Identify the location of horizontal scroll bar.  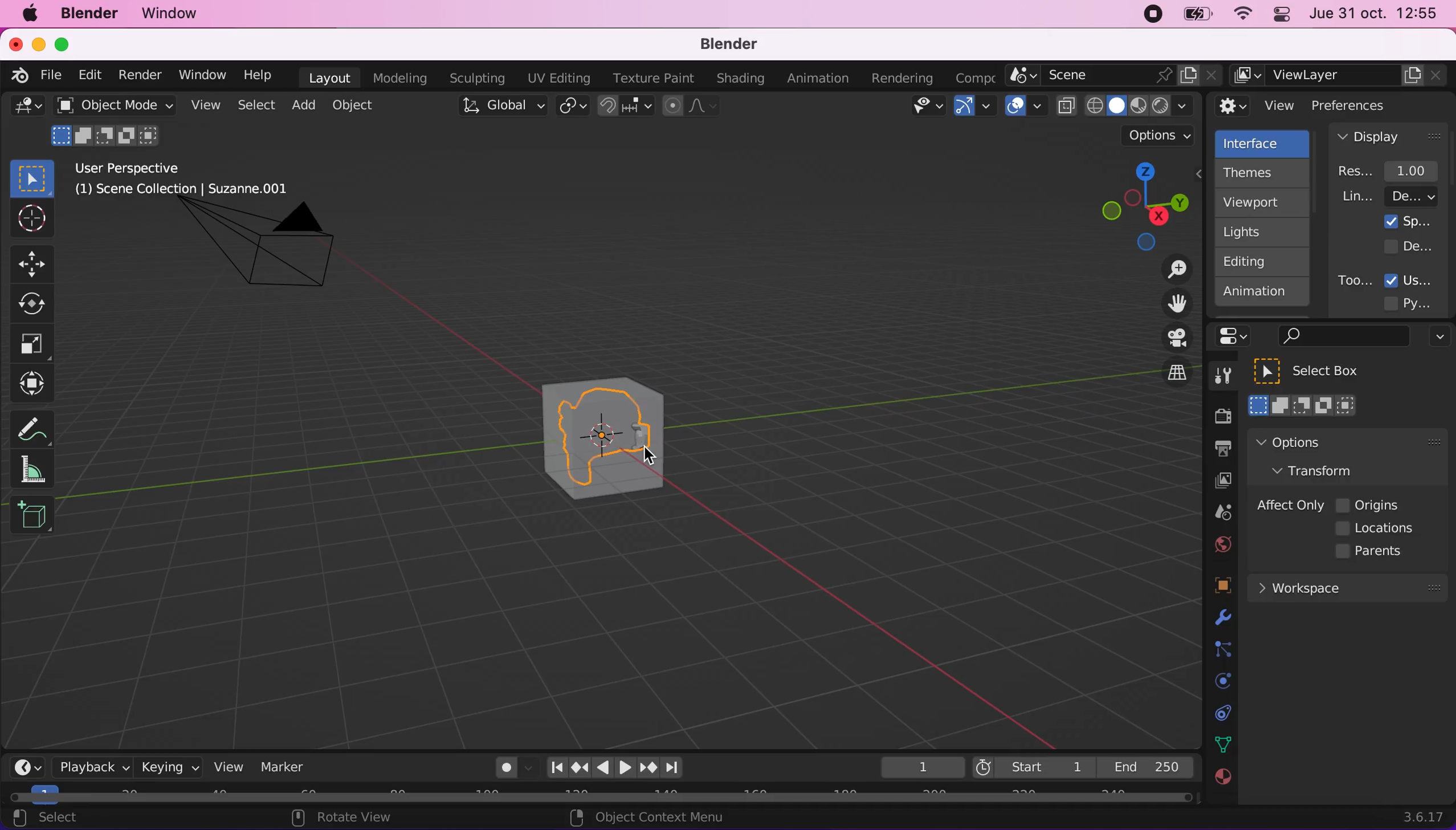
(601, 798).